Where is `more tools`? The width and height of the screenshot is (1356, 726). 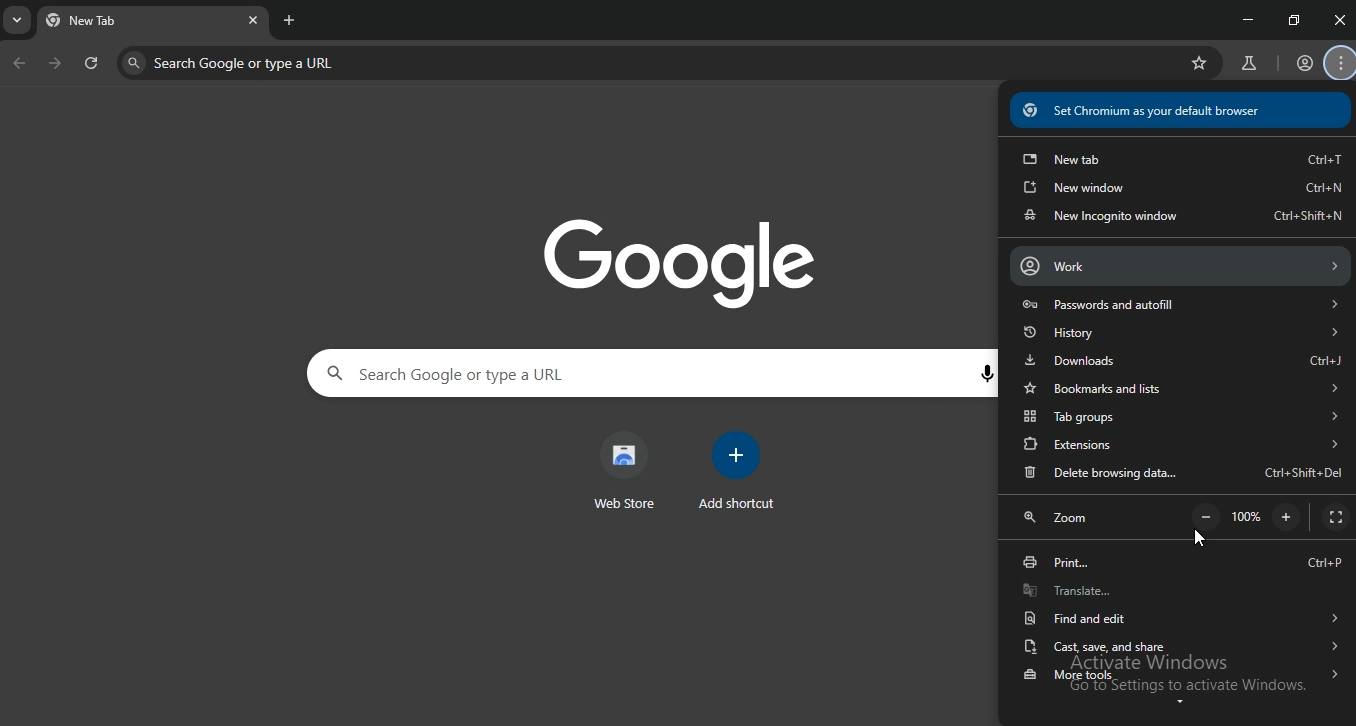
more tools is located at coordinates (1181, 676).